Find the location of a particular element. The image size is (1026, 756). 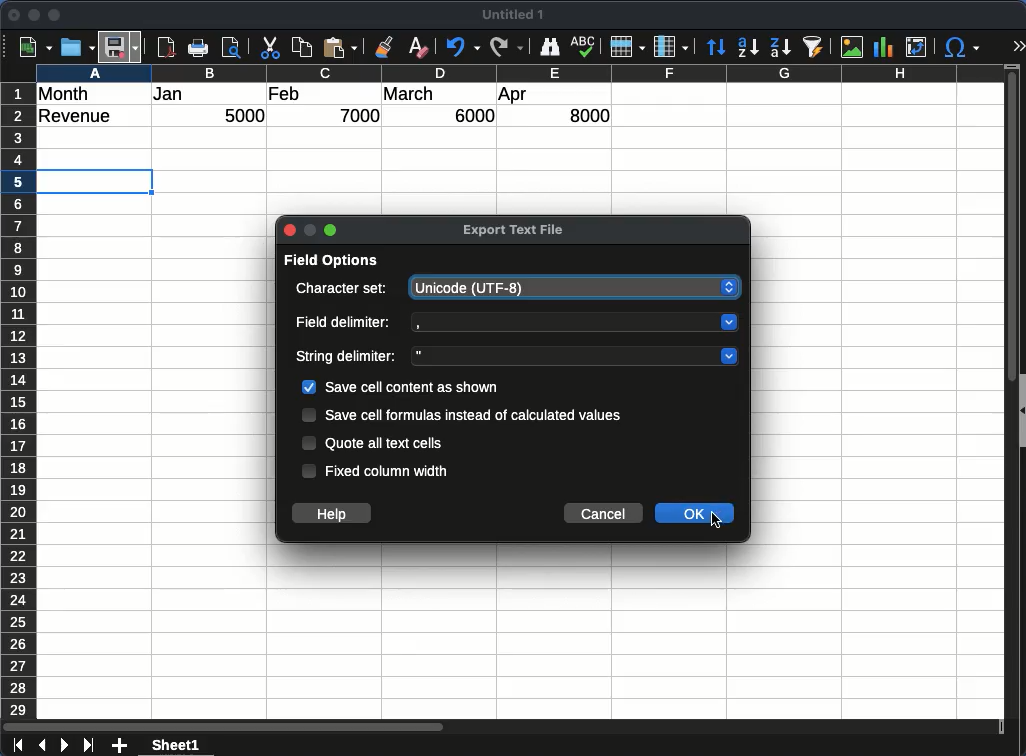

close is located at coordinates (15, 15).